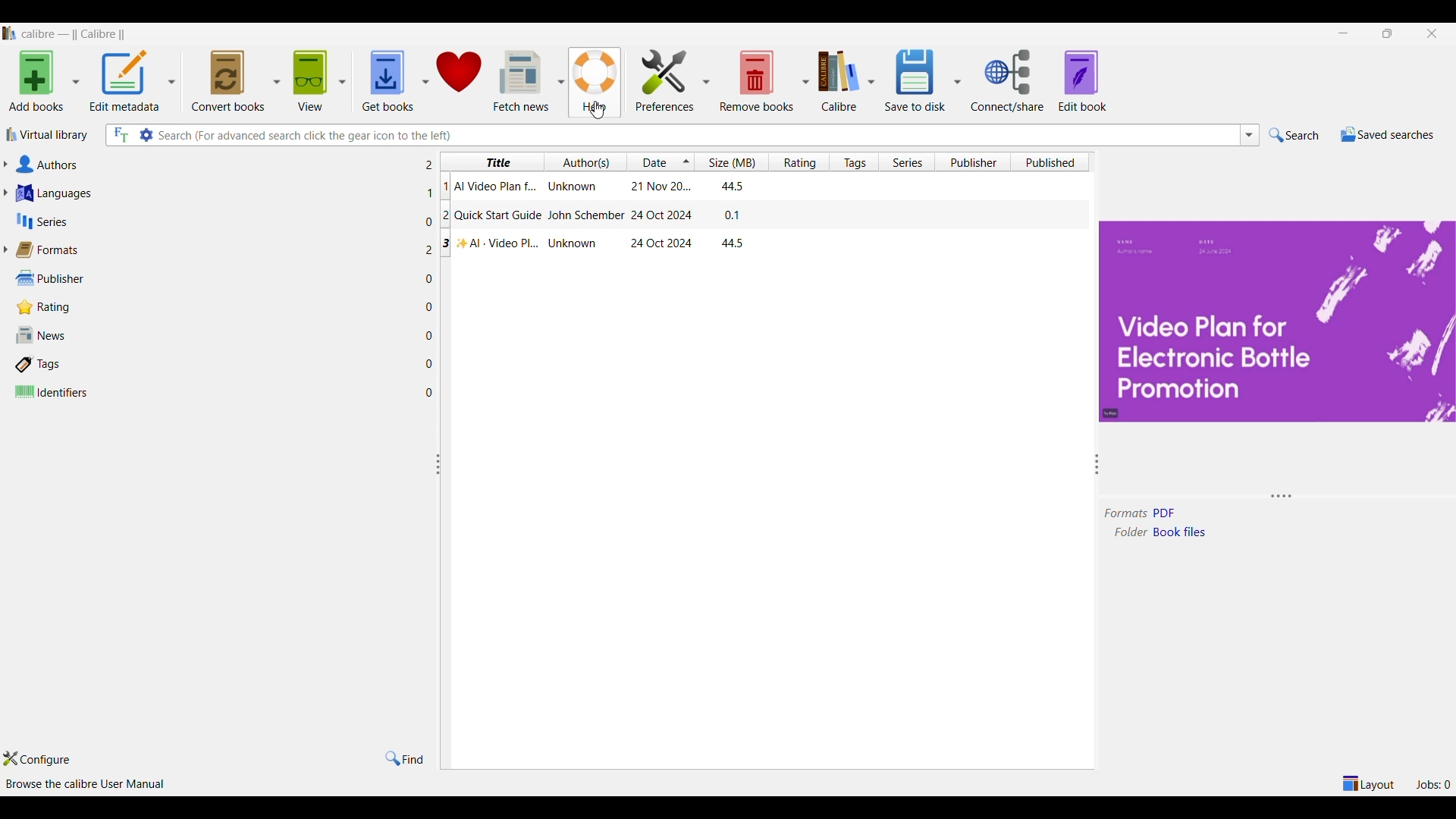 The width and height of the screenshot is (1456, 819). I want to click on Minimize, so click(1343, 33).